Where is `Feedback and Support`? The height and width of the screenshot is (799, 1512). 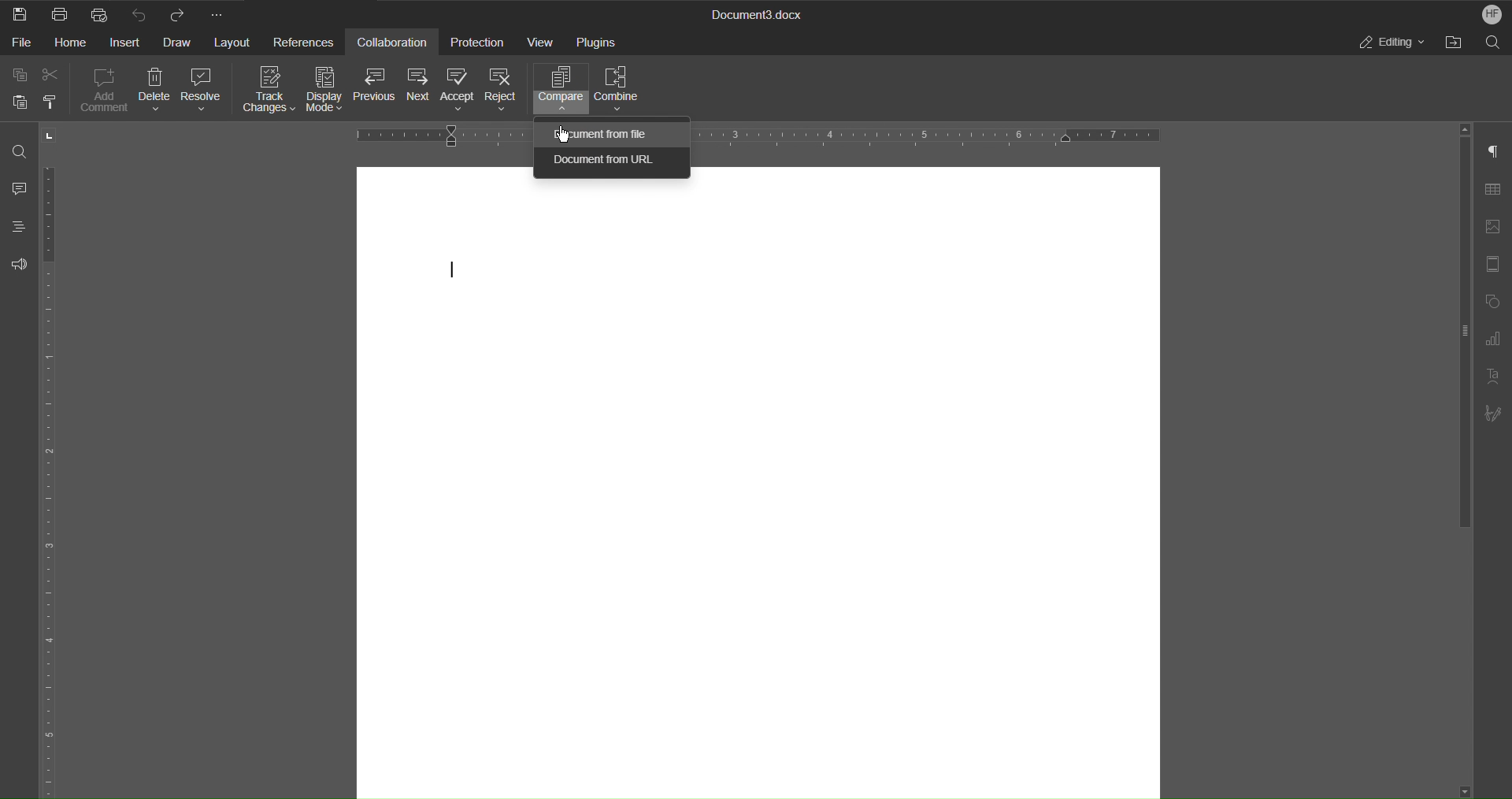 Feedback and Support is located at coordinates (17, 262).